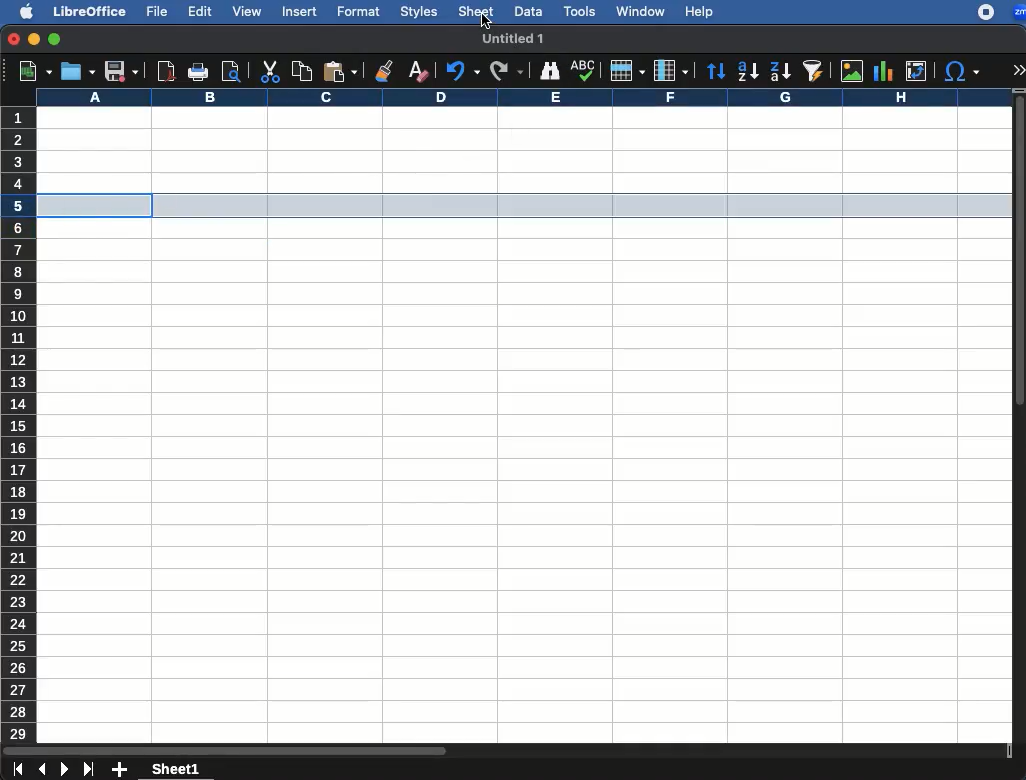 This screenshot has height=780, width=1026. Describe the element at coordinates (459, 71) in the screenshot. I see `redo` at that location.